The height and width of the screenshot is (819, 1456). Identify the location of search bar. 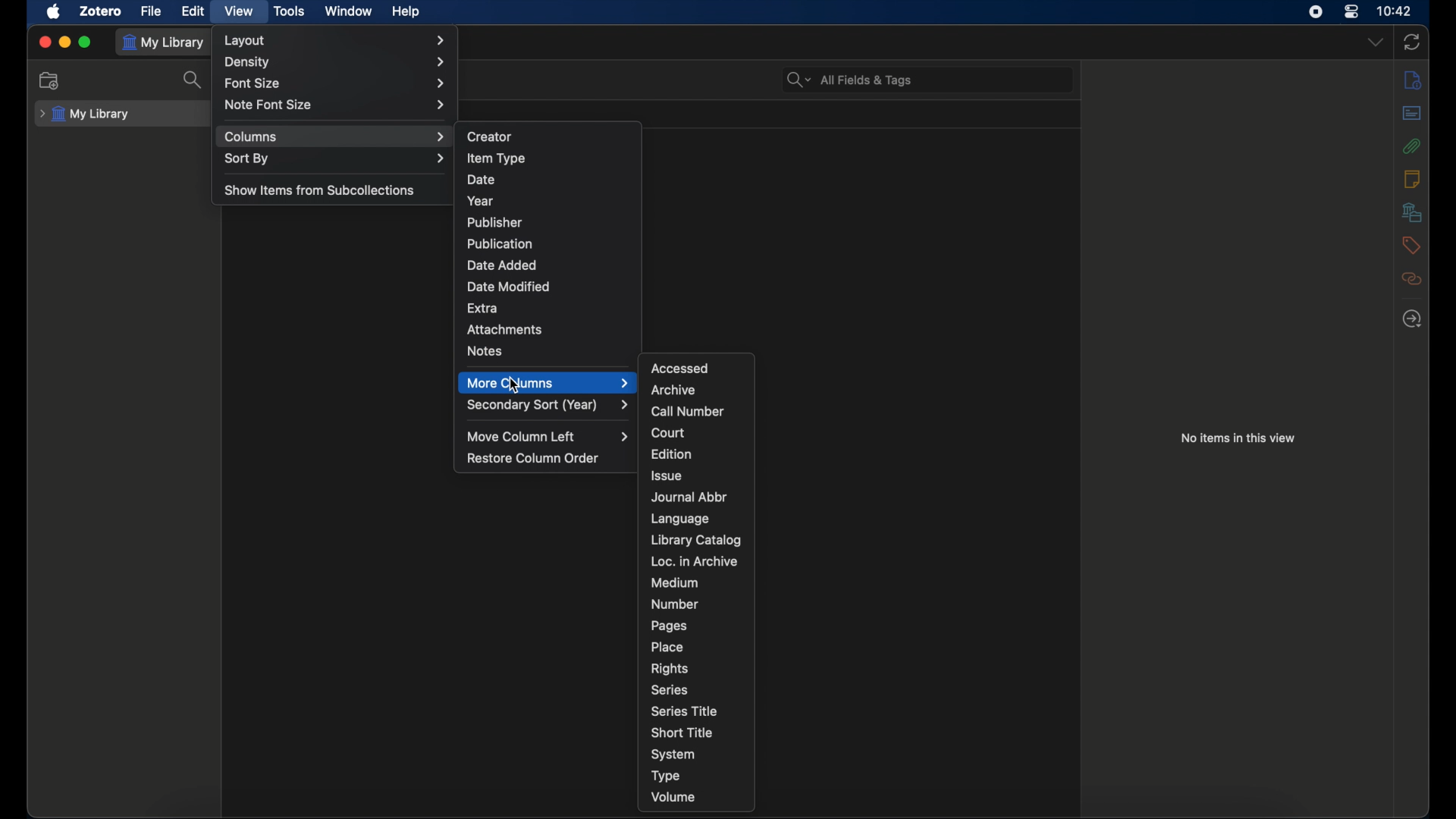
(849, 80).